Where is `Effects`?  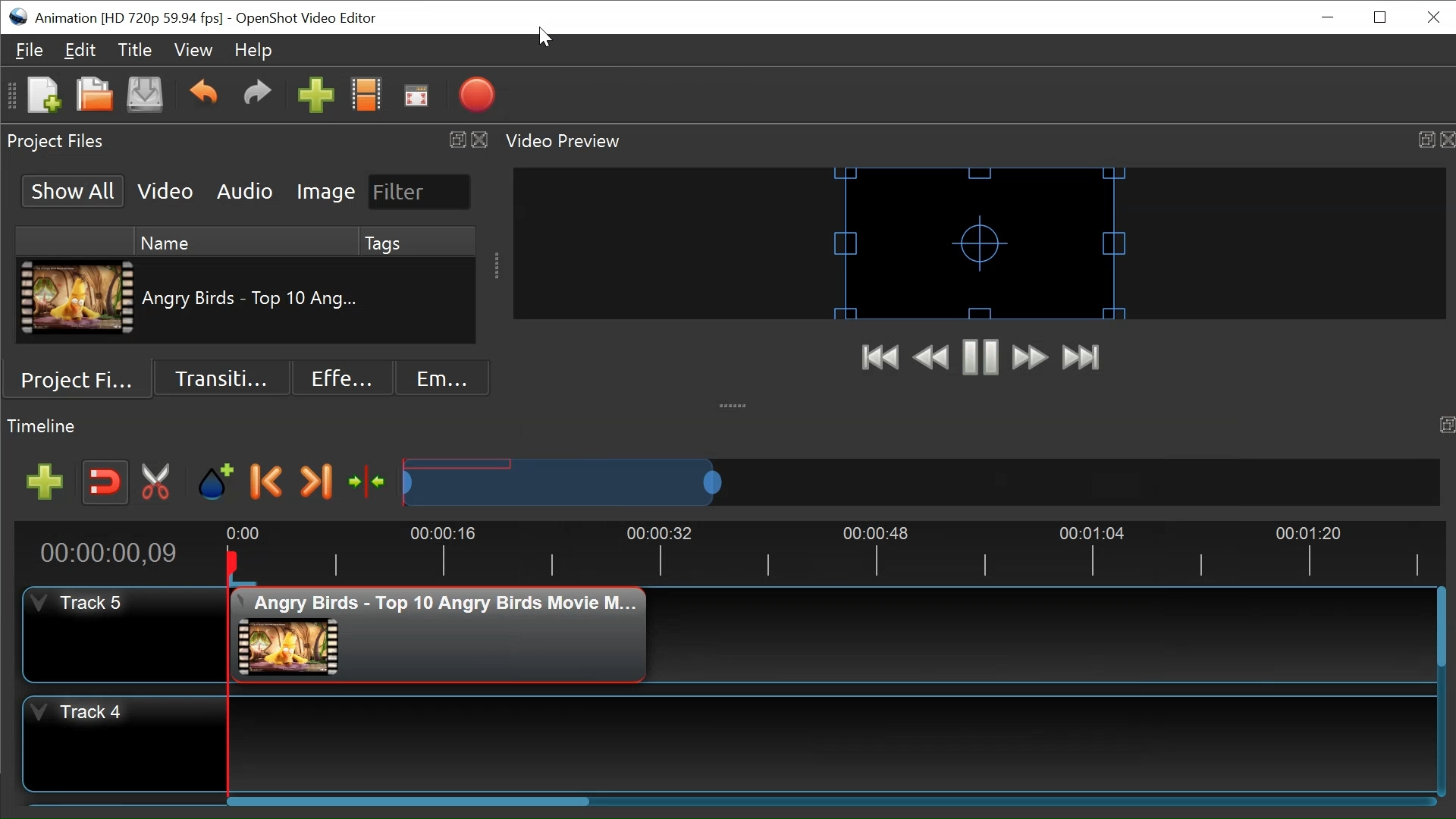
Effects is located at coordinates (342, 378).